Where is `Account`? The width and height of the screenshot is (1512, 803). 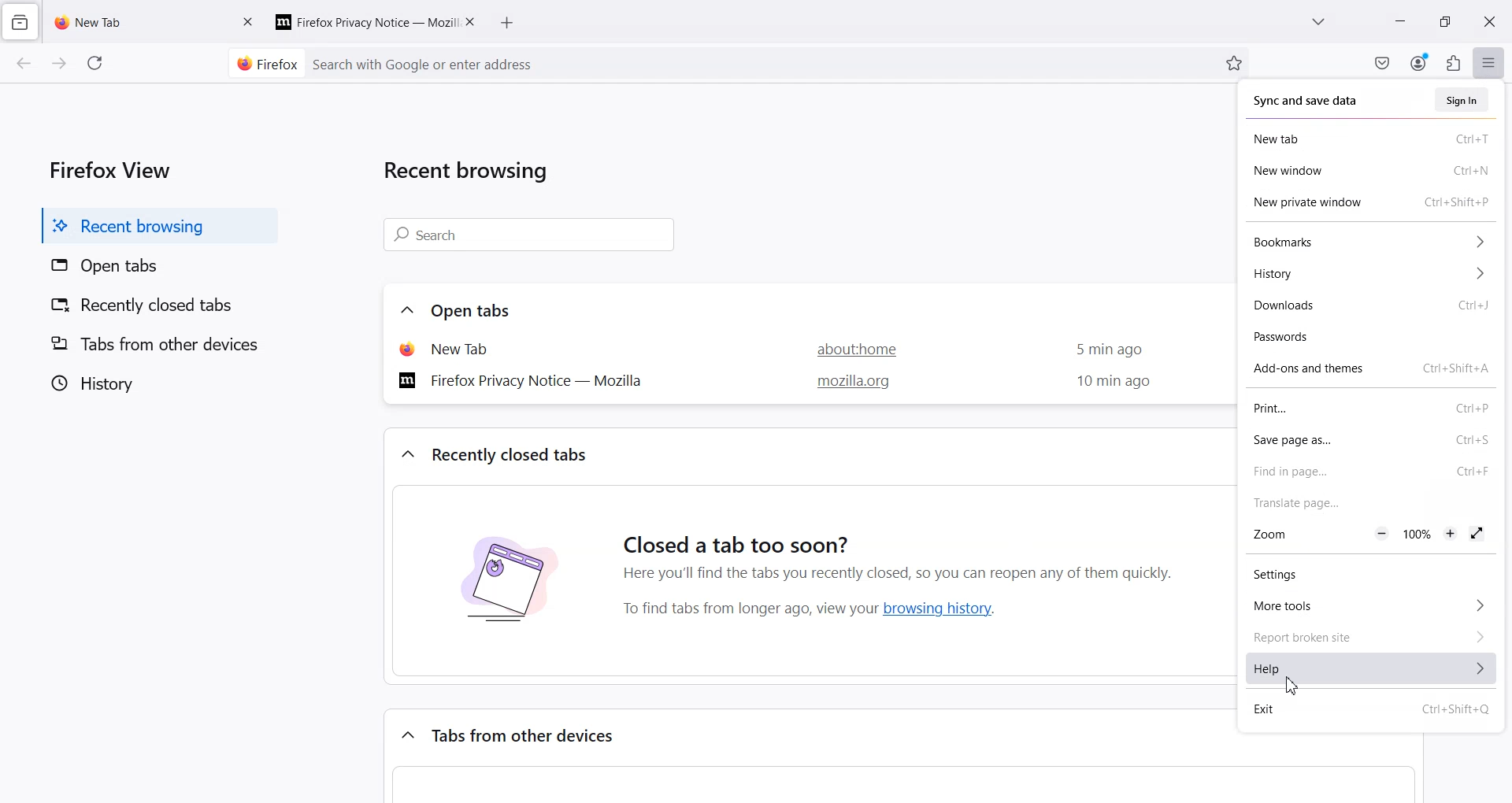
Account is located at coordinates (1420, 61).